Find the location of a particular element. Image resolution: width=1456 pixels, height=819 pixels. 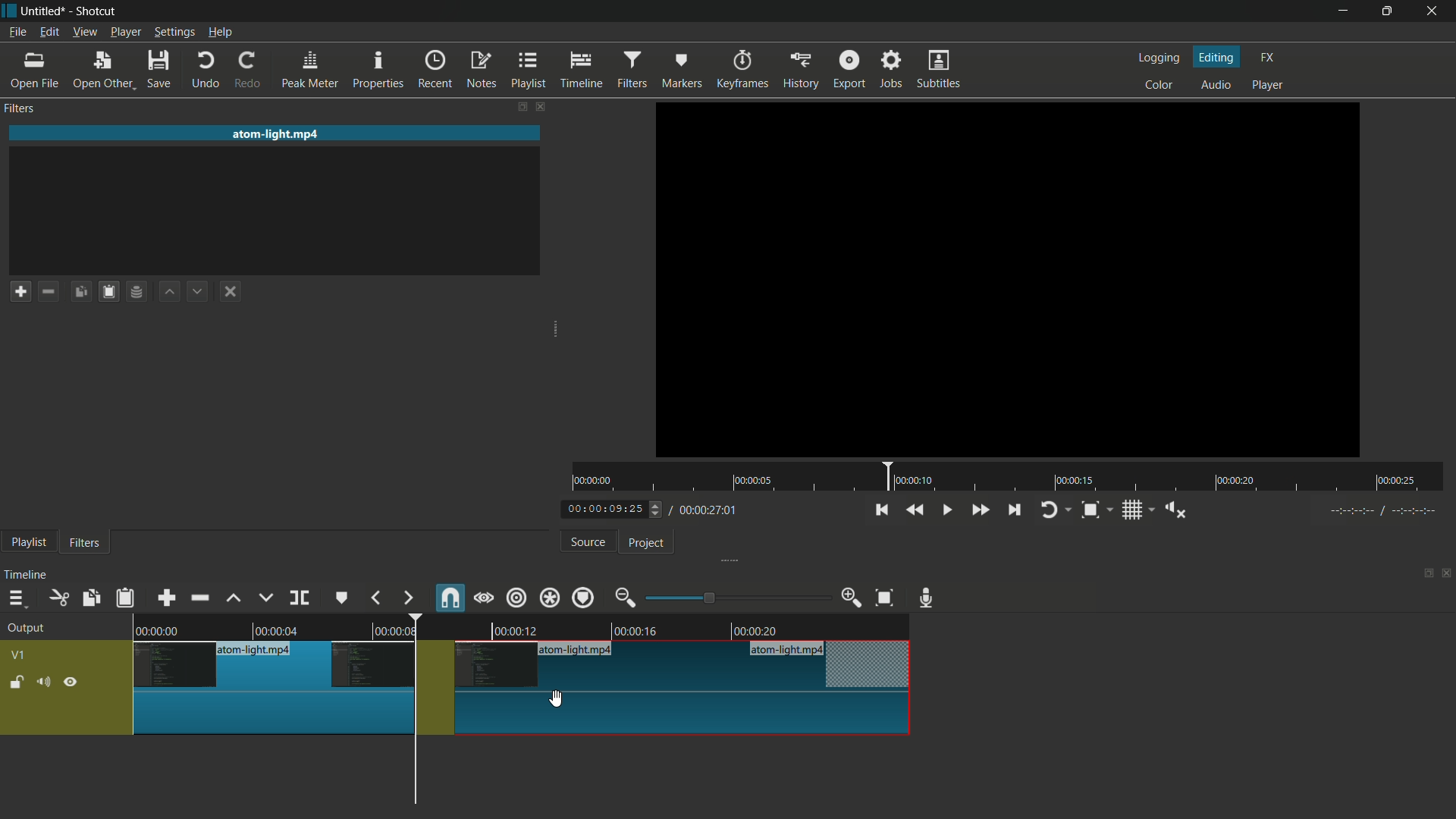

zoom timeline to fit is located at coordinates (1097, 510).